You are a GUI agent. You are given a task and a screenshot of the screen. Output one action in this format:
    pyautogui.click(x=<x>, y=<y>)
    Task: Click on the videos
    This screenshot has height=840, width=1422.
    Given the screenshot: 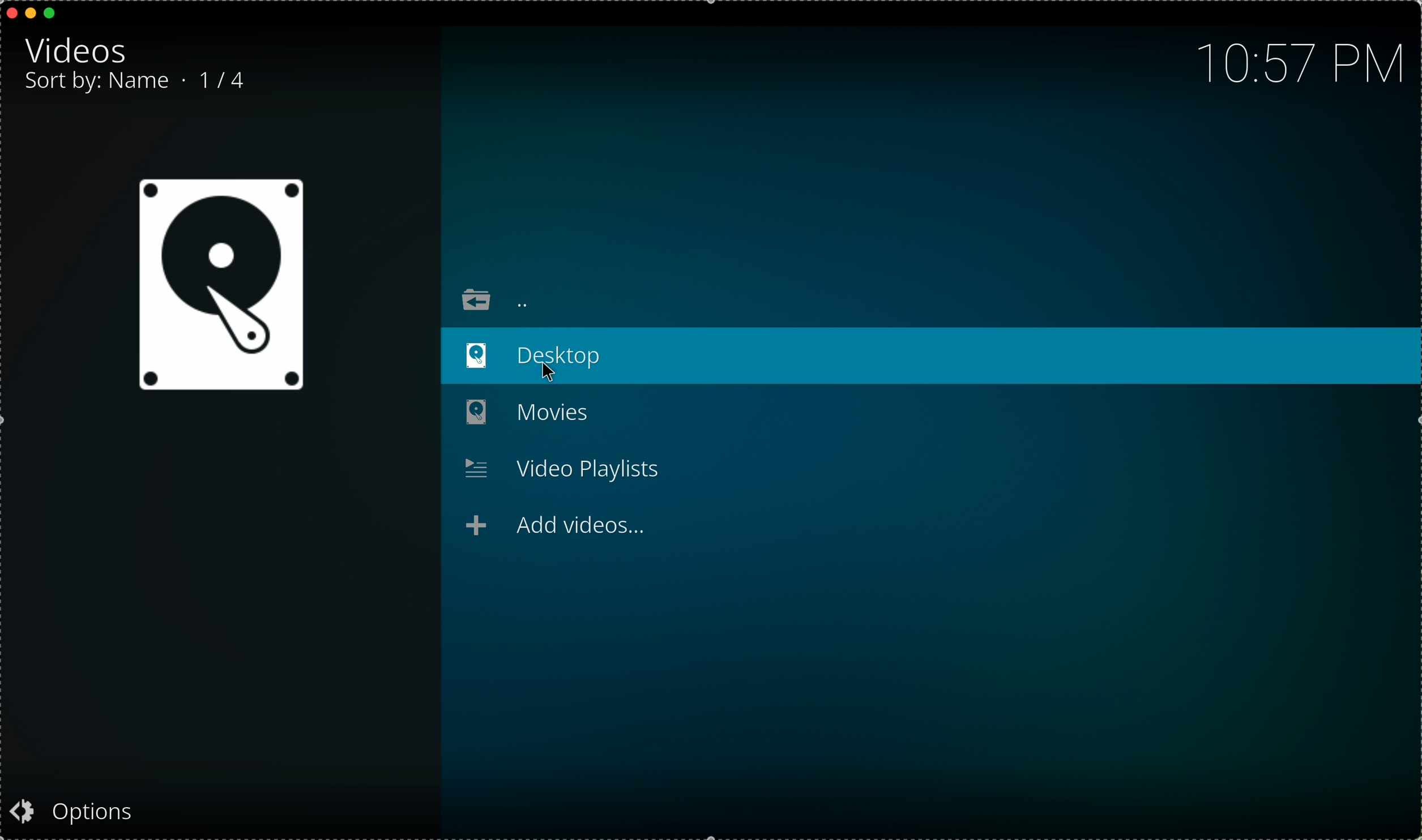 What is the action you would take?
    pyautogui.click(x=75, y=50)
    